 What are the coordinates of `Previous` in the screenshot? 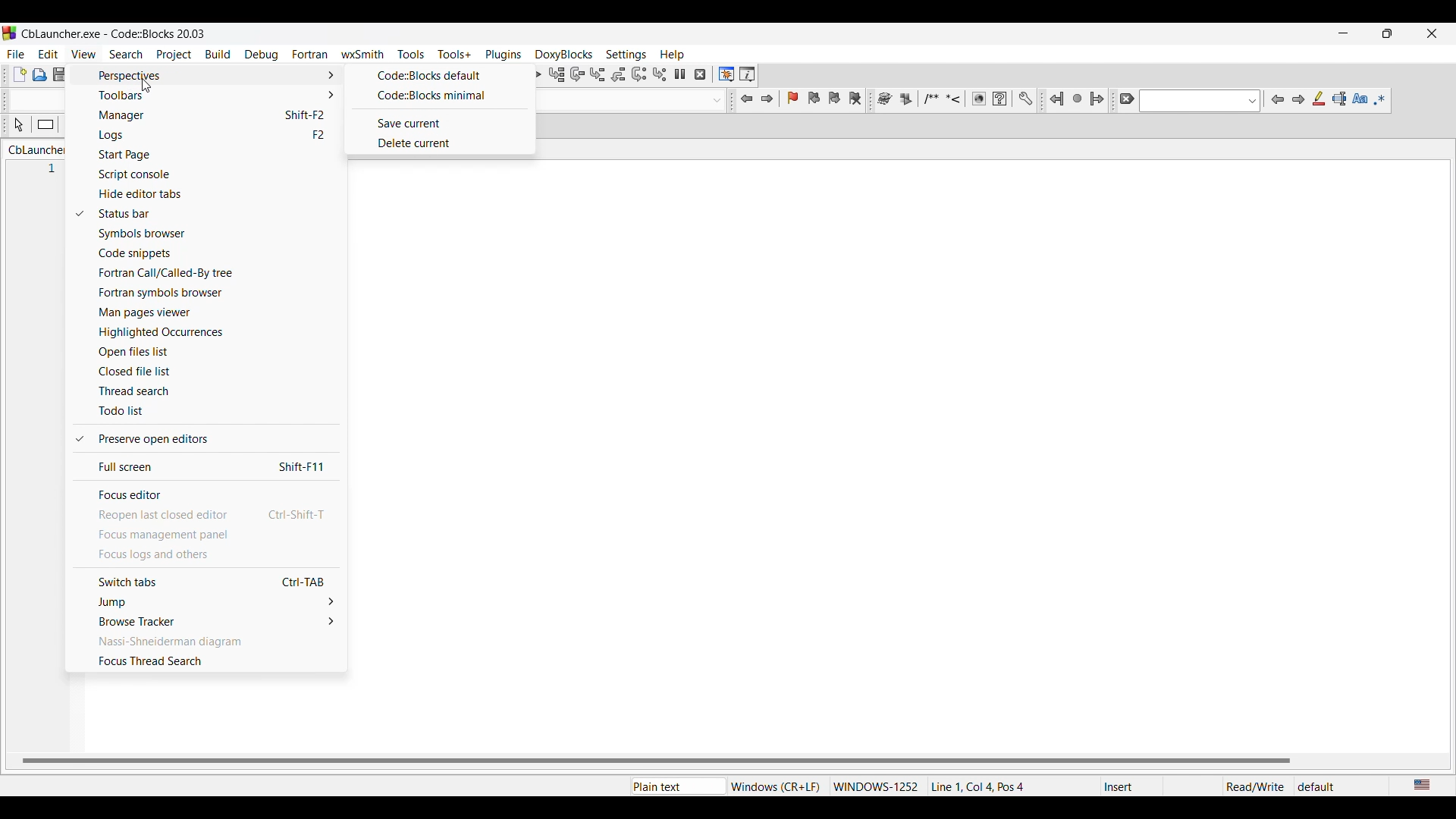 It's located at (1278, 99).